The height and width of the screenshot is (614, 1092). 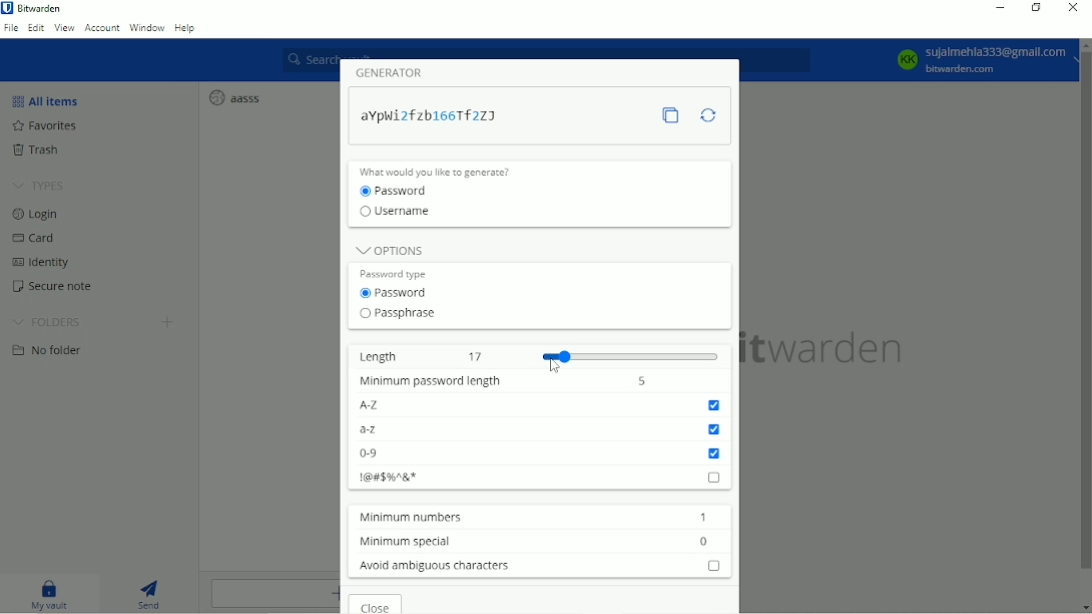 What do you see at coordinates (36, 215) in the screenshot?
I see `Login` at bounding box center [36, 215].